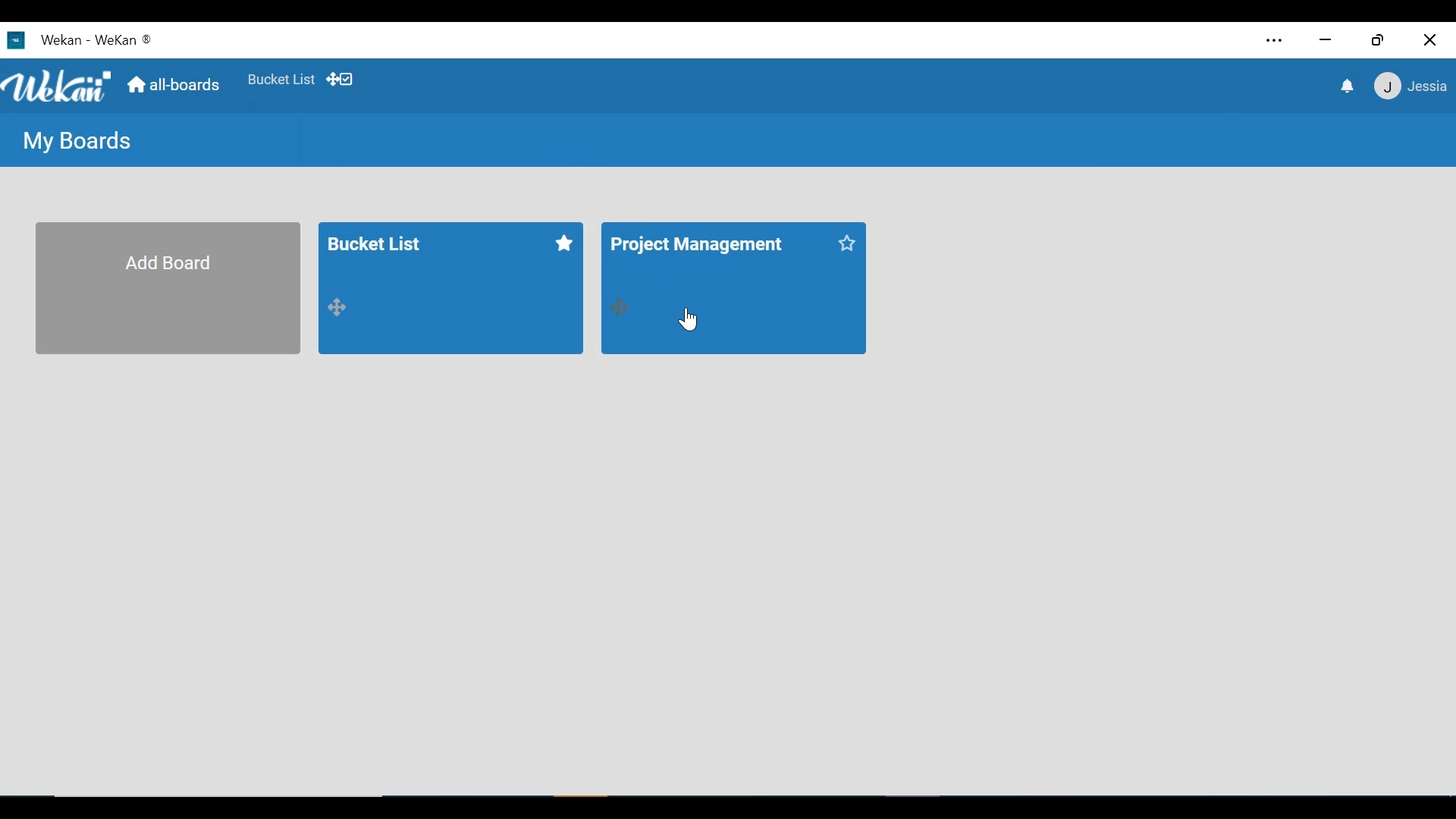 The width and height of the screenshot is (1456, 819). What do you see at coordinates (60, 88) in the screenshot?
I see `Wekan logo` at bounding box center [60, 88].